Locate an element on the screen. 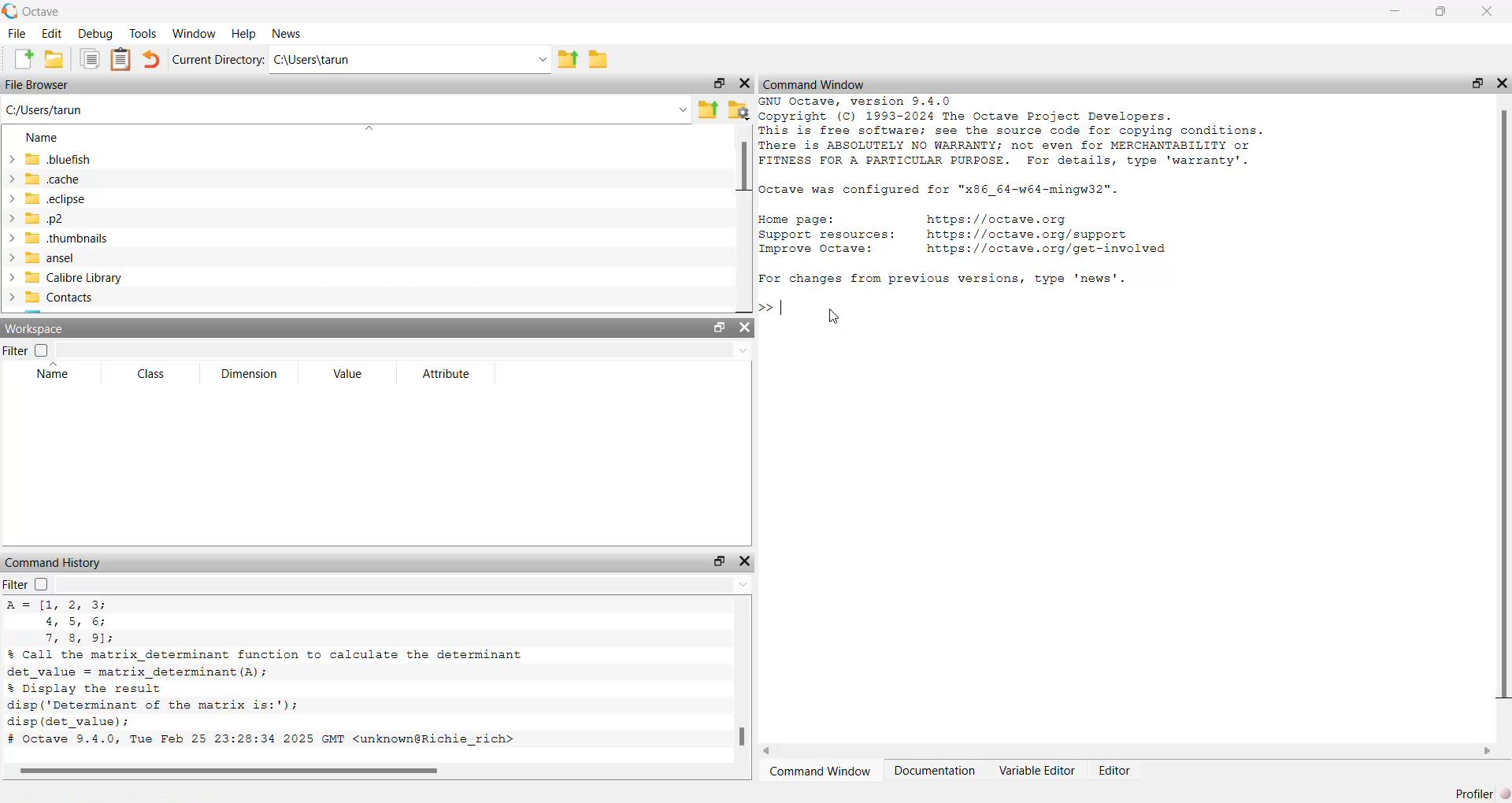  attribute is located at coordinates (446, 373).